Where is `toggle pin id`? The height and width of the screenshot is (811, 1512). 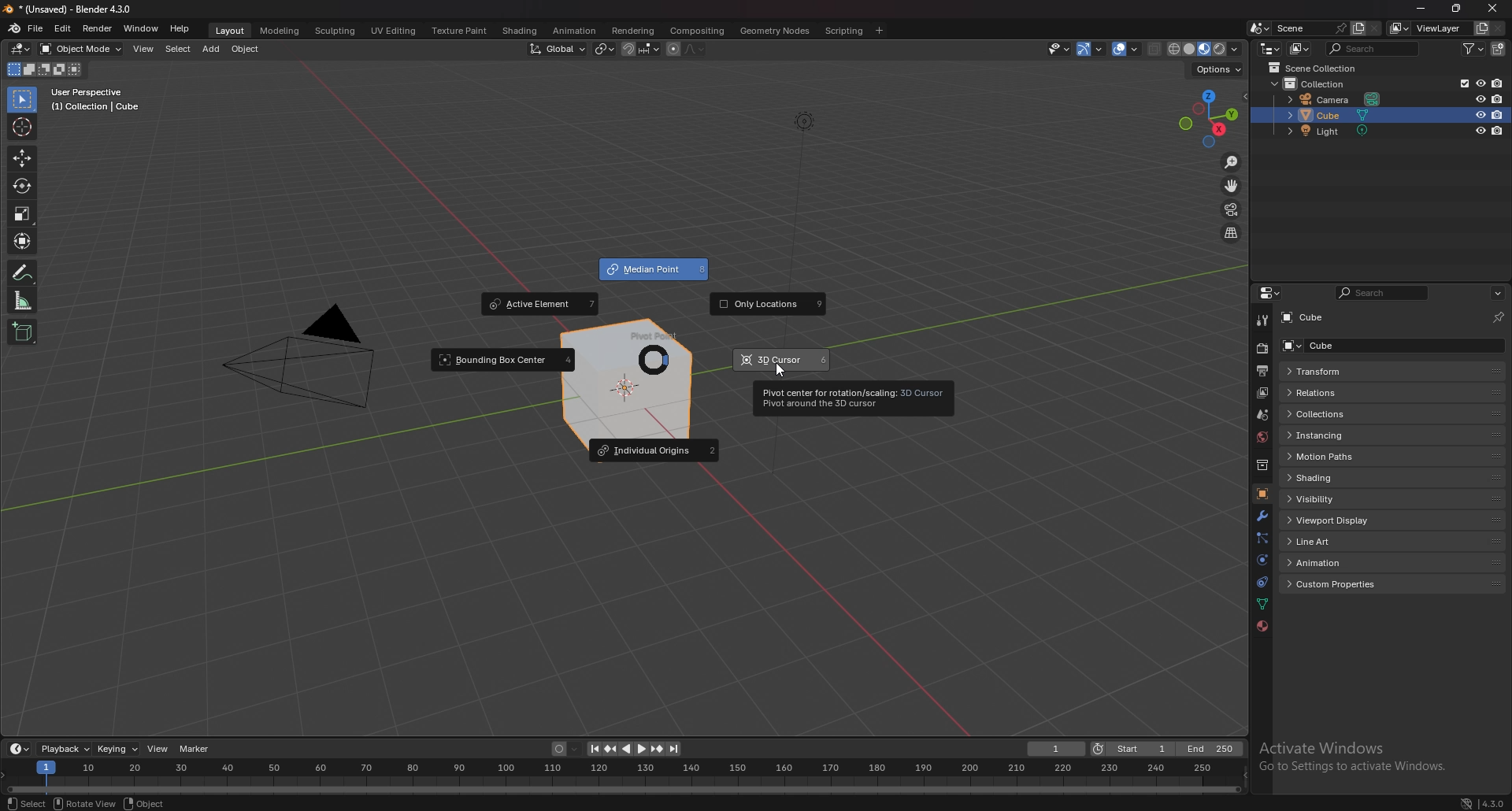
toggle pin id is located at coordinates (1499, 316).